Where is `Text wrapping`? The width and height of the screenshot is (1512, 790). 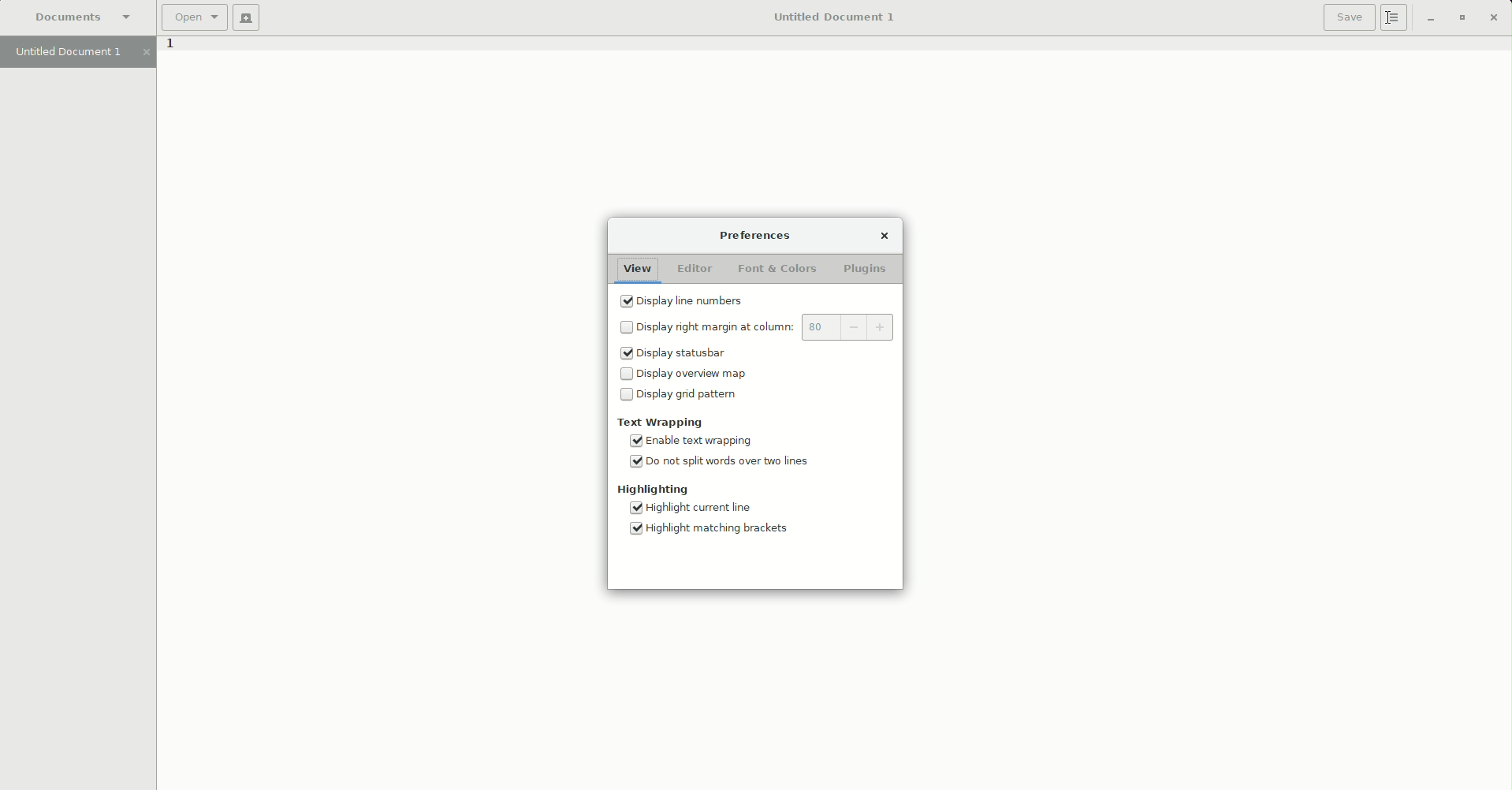 Text wrapping is located at coordinates (658, 421).